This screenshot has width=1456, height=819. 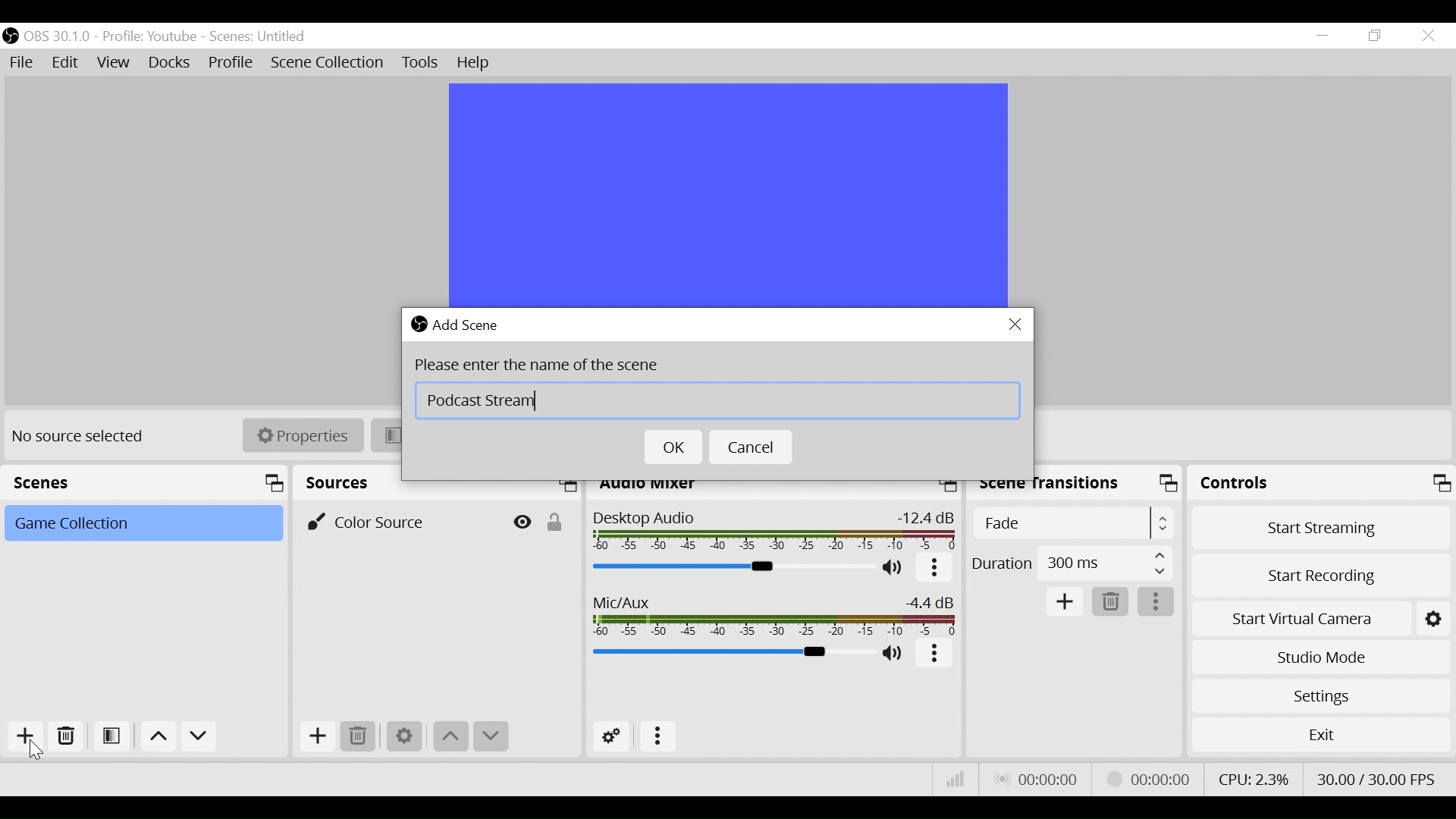 I want to click on Docks, so click(x=169, y=64).